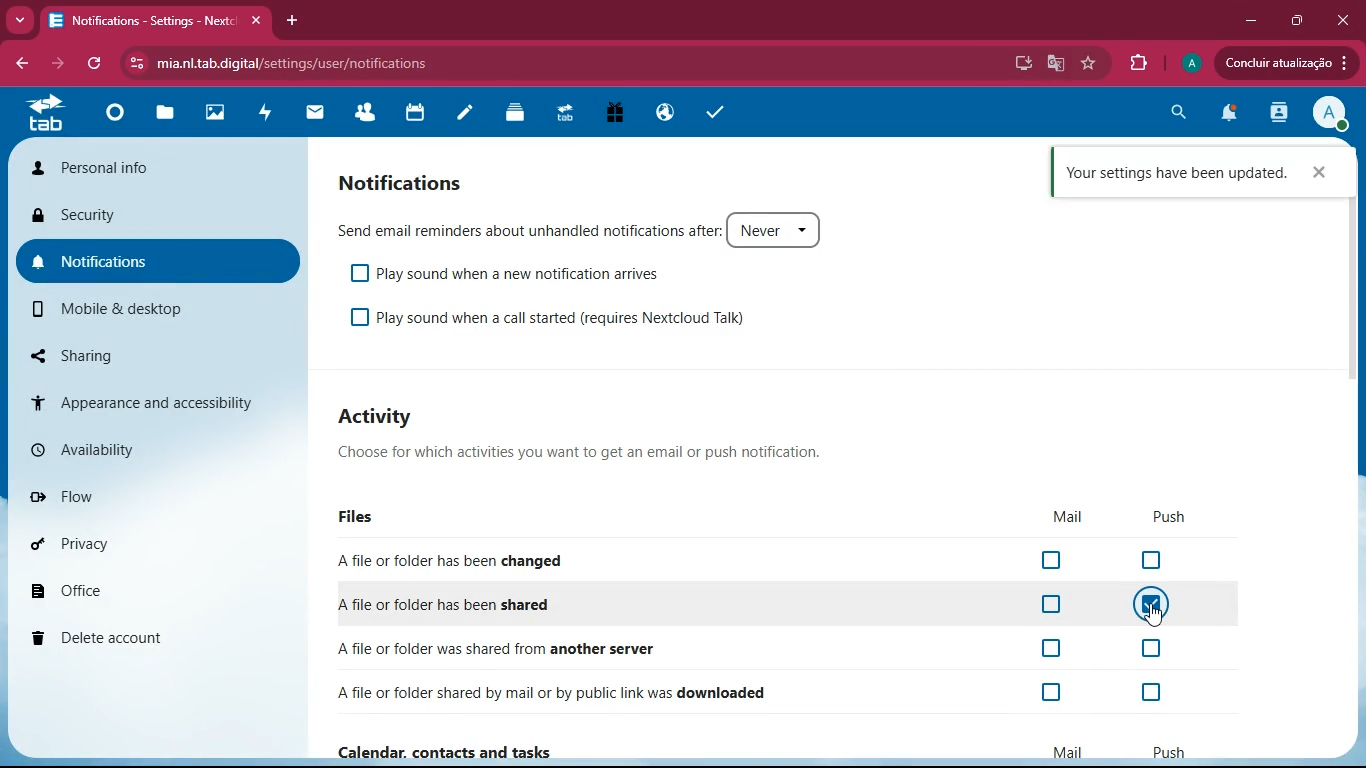 The width and height of the screenshot is (1366, 768). What do you see at coordinates (160, 21) in the screenshot?
I see `tab` at bounding box center [160, 21].